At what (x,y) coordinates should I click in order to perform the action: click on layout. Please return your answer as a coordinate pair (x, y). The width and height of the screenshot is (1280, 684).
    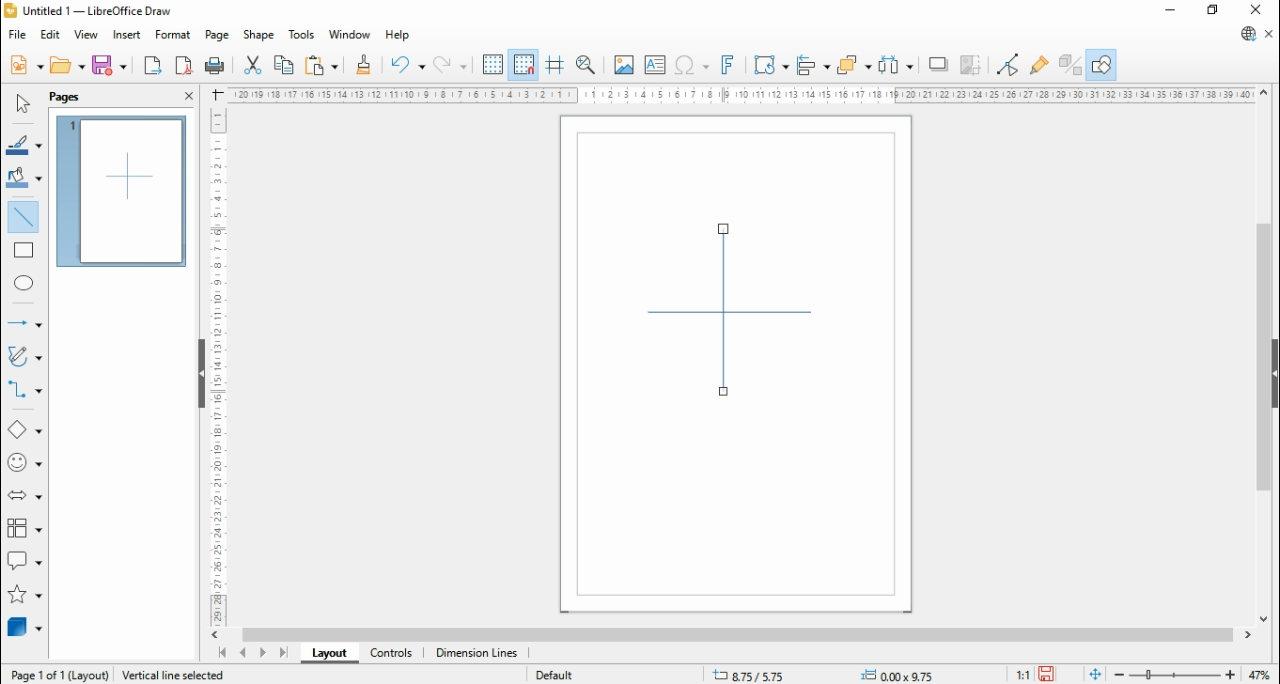
    Looking at the image, I should click on (327, 652).